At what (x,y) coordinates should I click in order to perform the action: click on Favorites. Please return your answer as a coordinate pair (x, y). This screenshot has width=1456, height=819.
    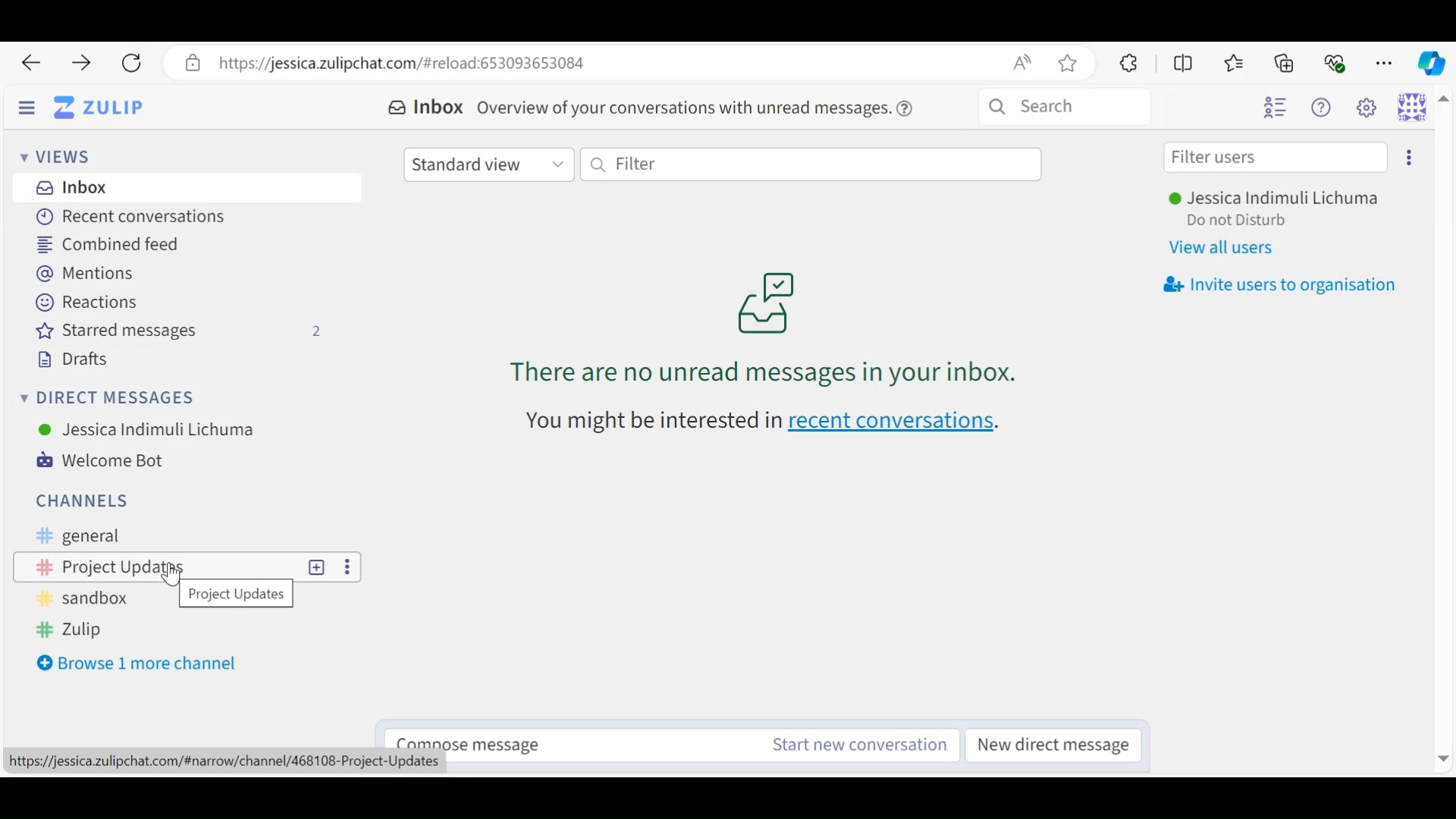
    Looking at the image, I should click on (1235, 63).